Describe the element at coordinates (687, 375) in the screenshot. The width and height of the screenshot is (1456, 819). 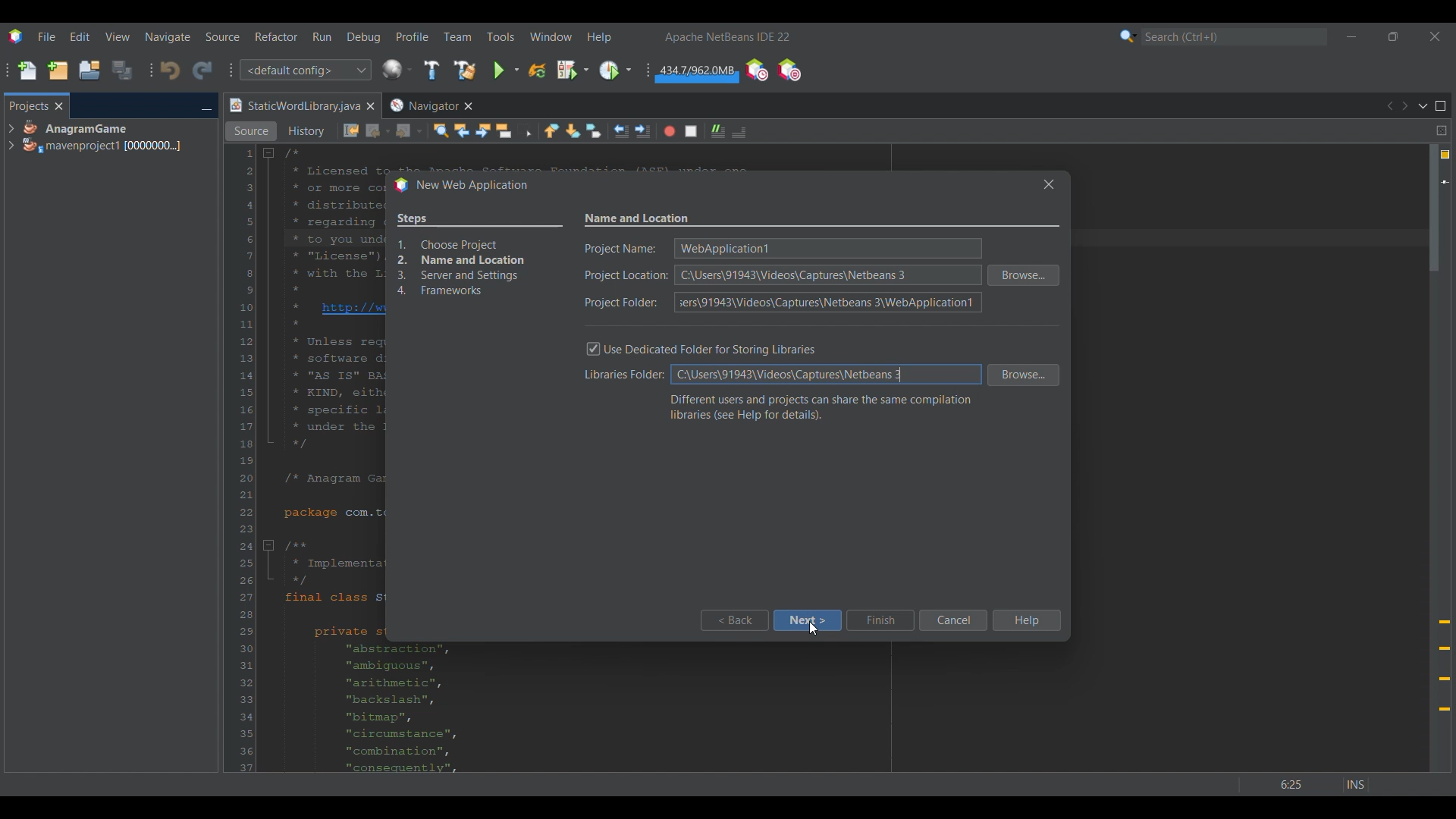
I see `Default text selected by cursor` at that location.